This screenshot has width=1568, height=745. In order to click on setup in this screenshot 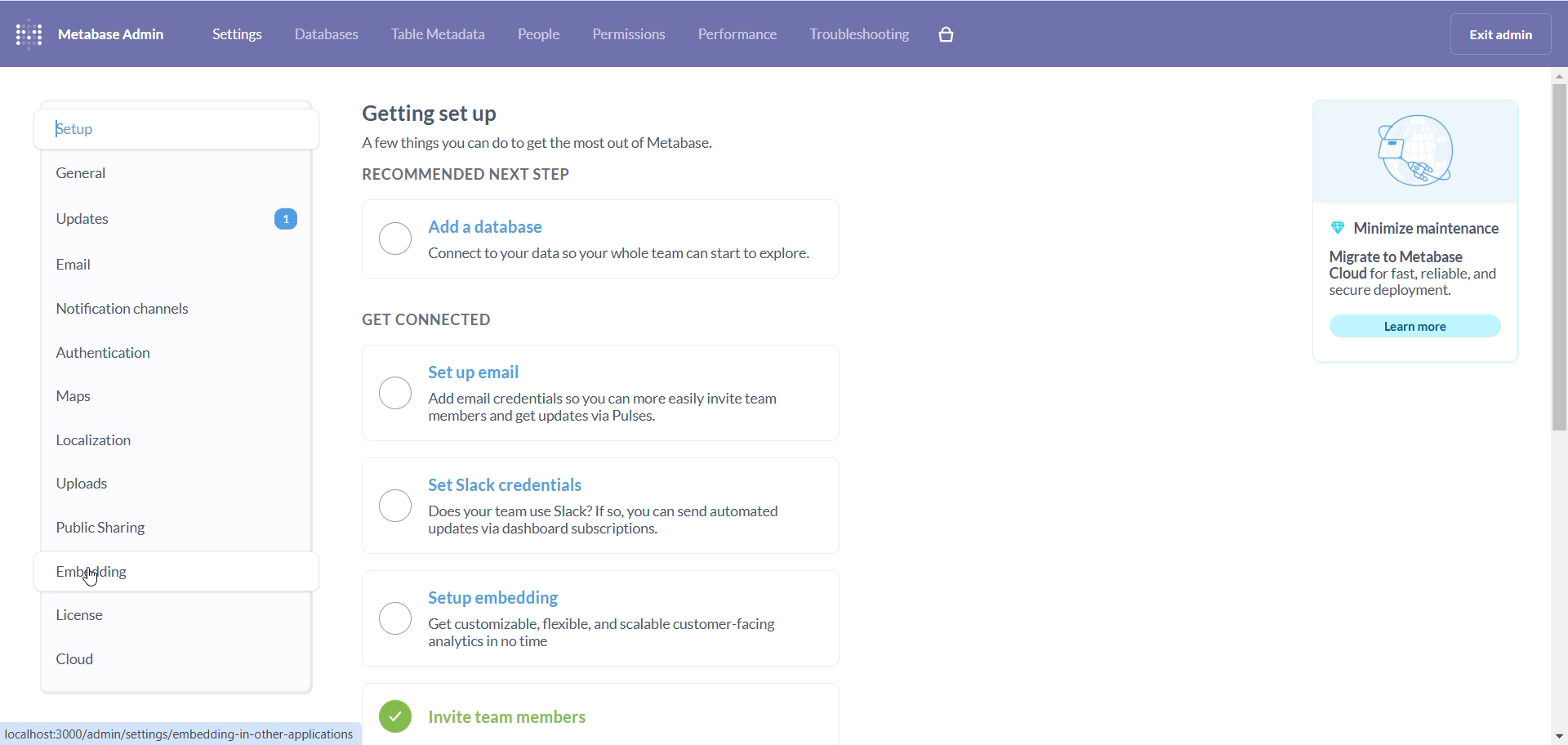, I will do `click(171, 132)`.